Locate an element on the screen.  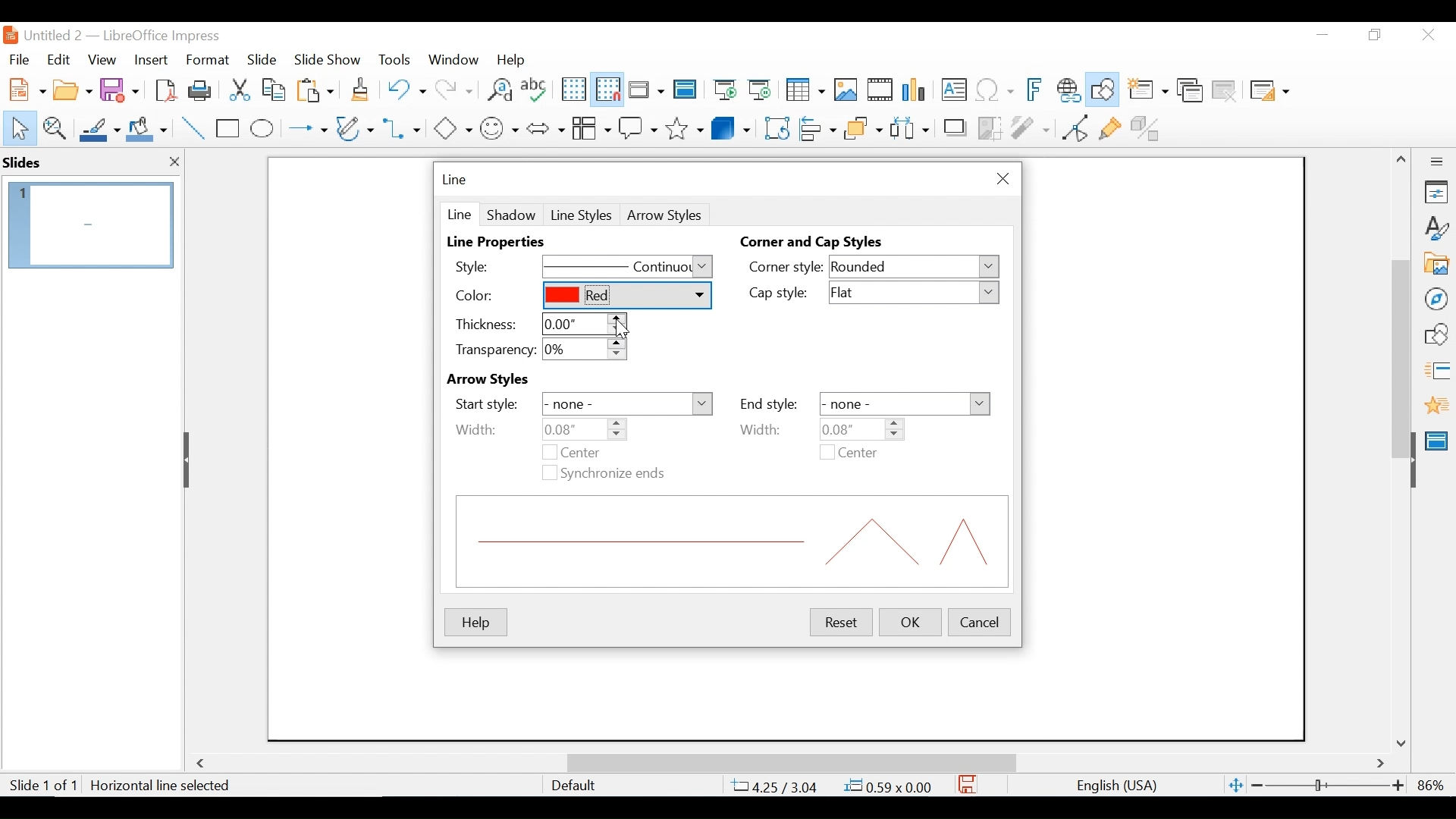
Show Draw Functions is located at coordinates (1104, 90).